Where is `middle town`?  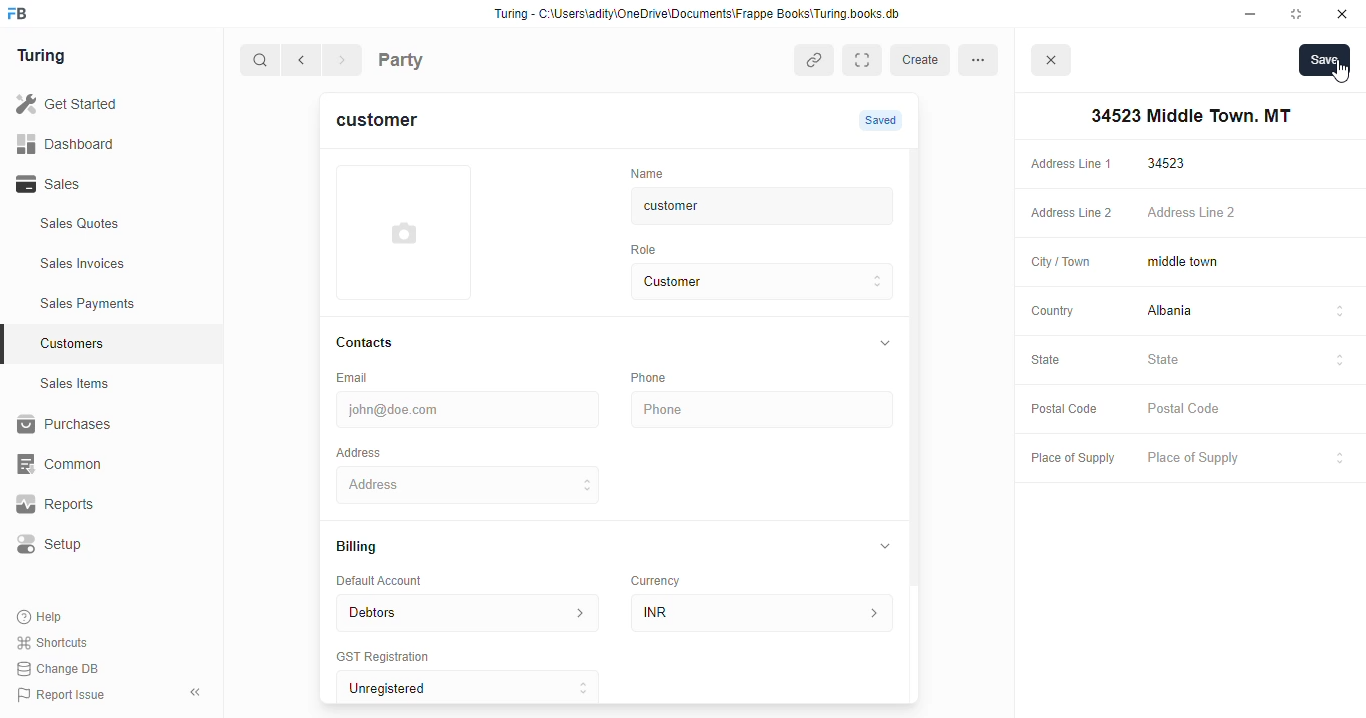 middle town is located at coordinates (1246, 263).